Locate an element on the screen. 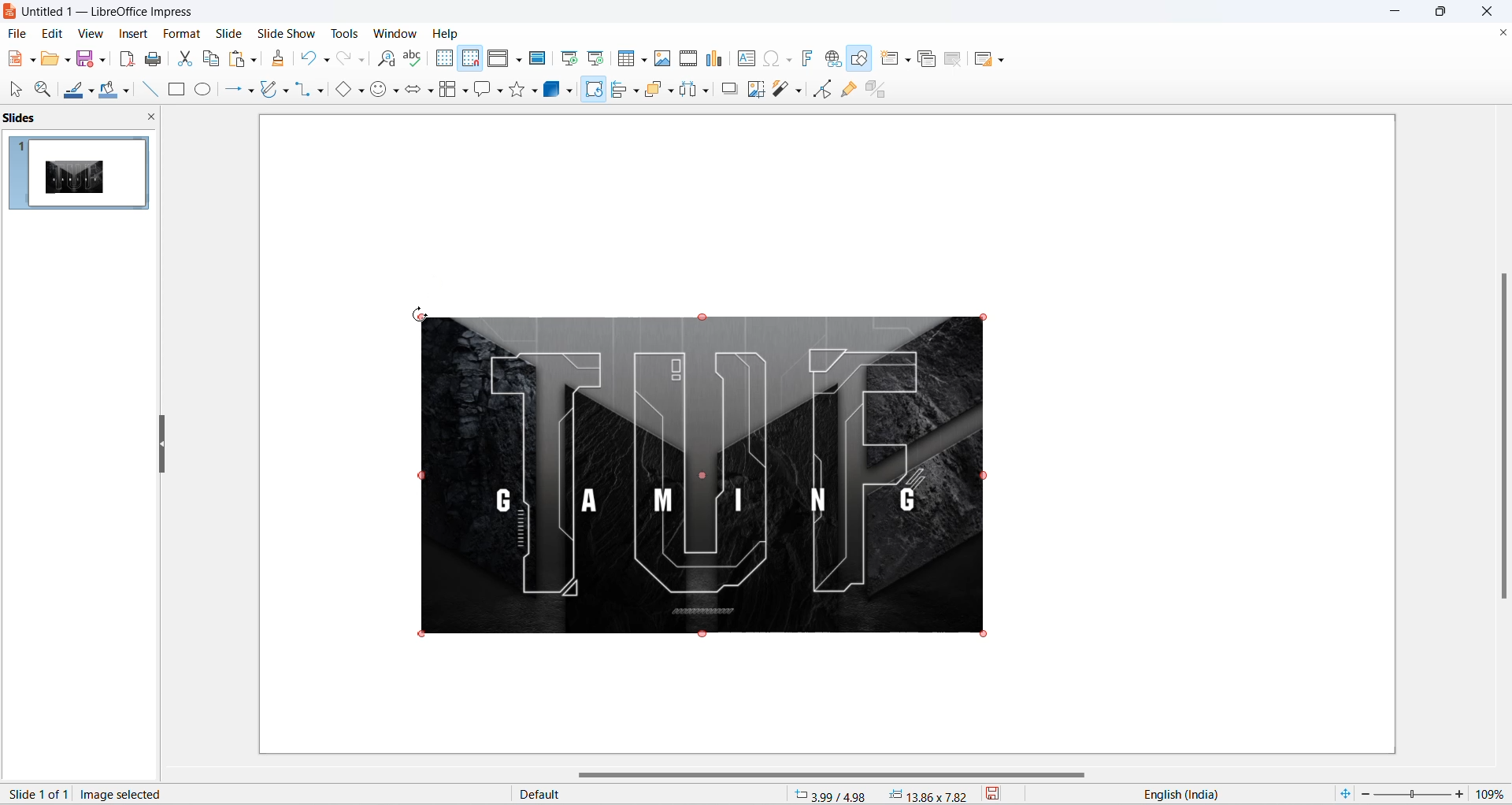 Image resolution: width=1512 pixels, height=805 pixels. align options is located at coordinates (636, 90).